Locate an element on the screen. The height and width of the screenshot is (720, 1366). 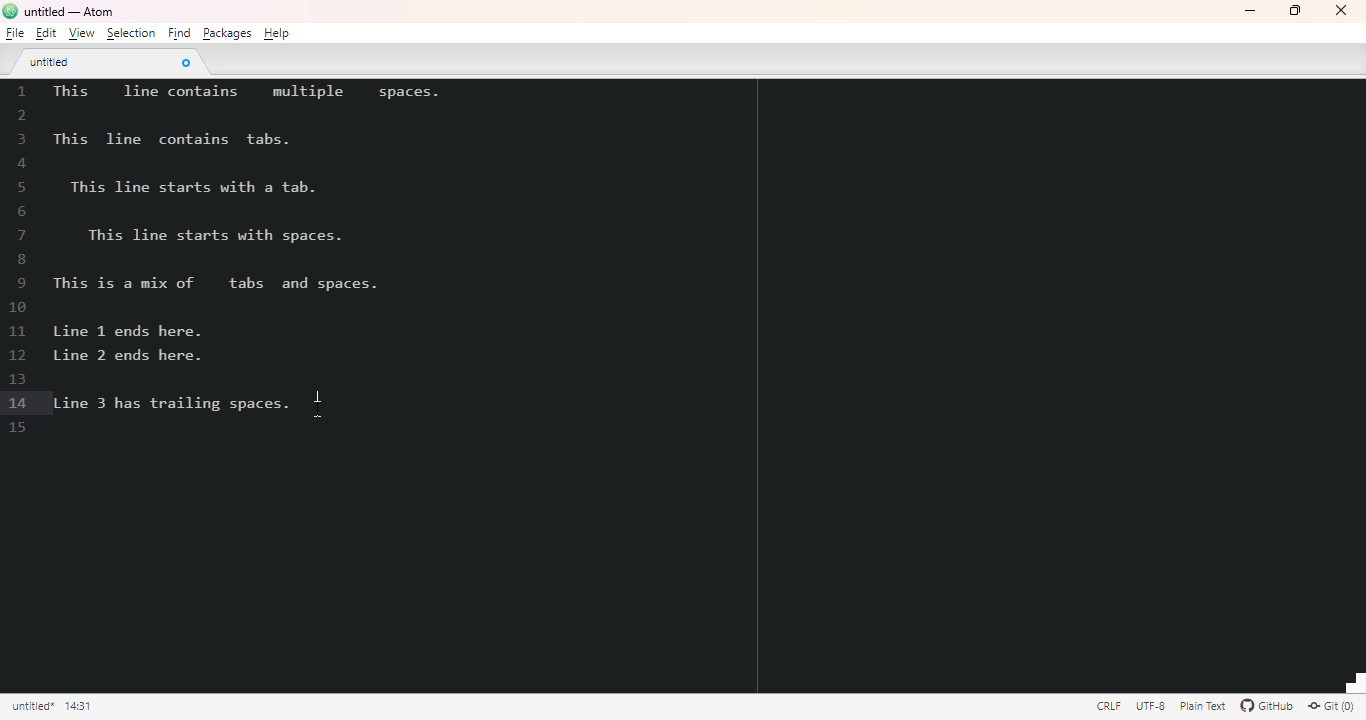
GitHub is located at coordinates (1267, 706).